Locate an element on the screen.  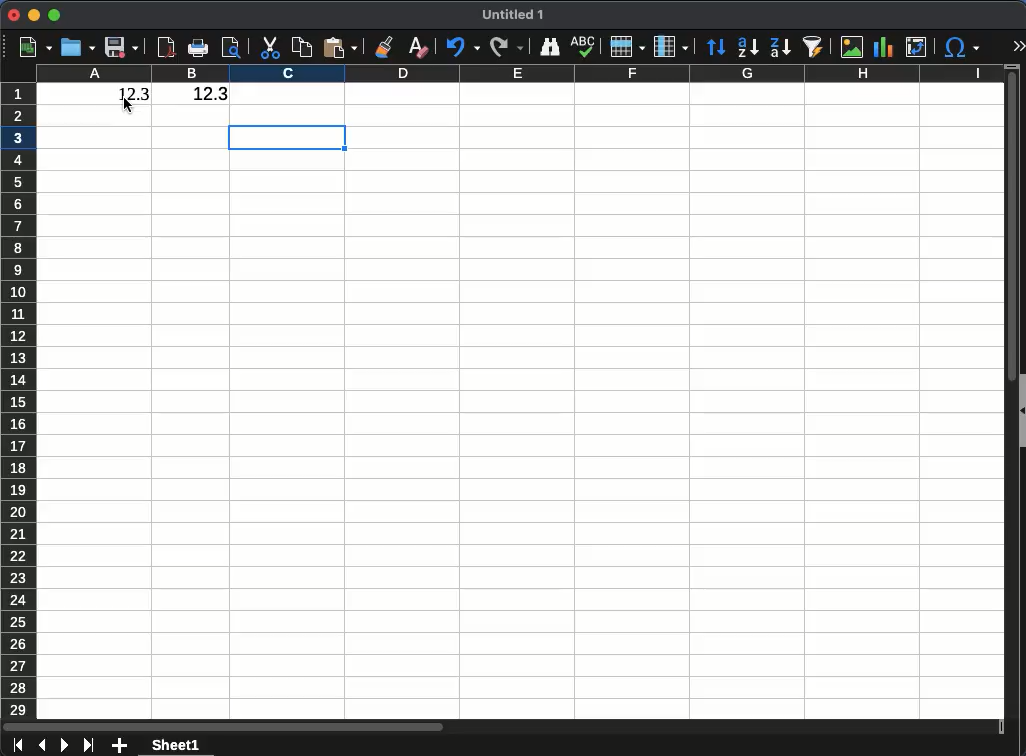
descending is located at coordinates (780, 48).